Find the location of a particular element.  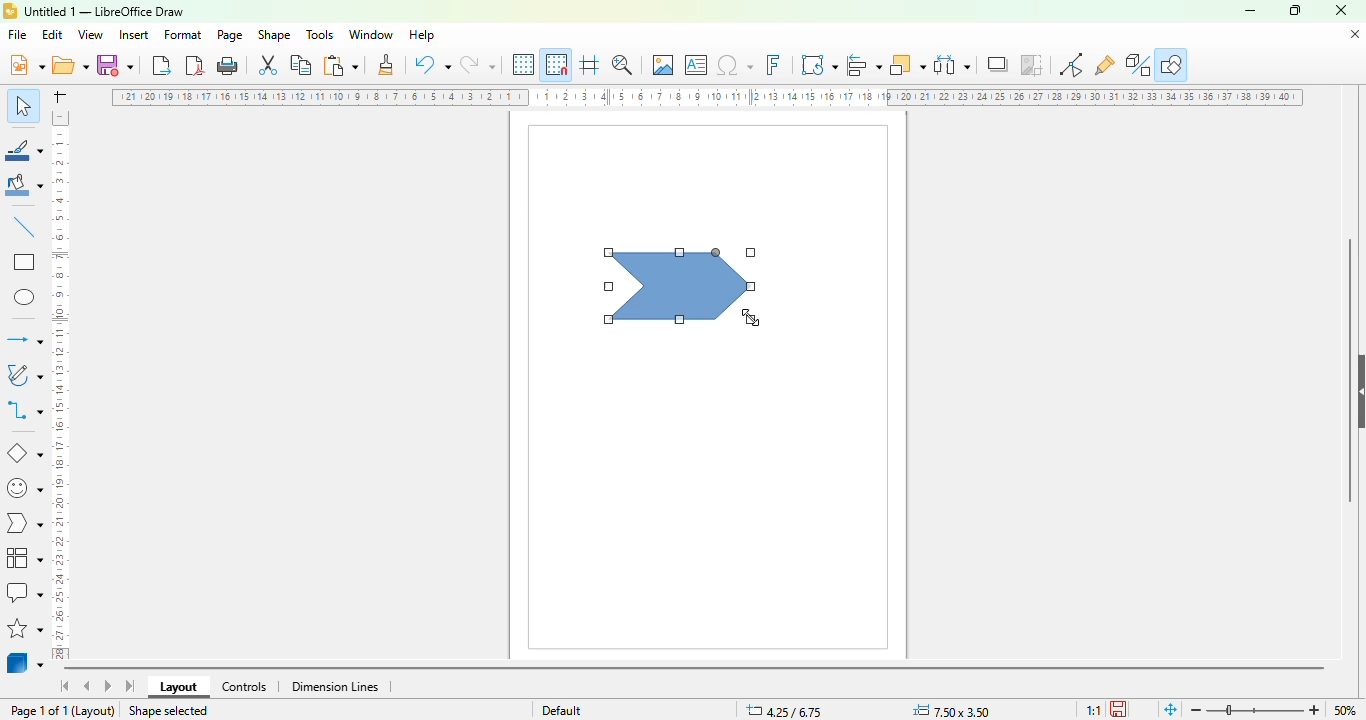

ruler is located at coordinates (707, 97).